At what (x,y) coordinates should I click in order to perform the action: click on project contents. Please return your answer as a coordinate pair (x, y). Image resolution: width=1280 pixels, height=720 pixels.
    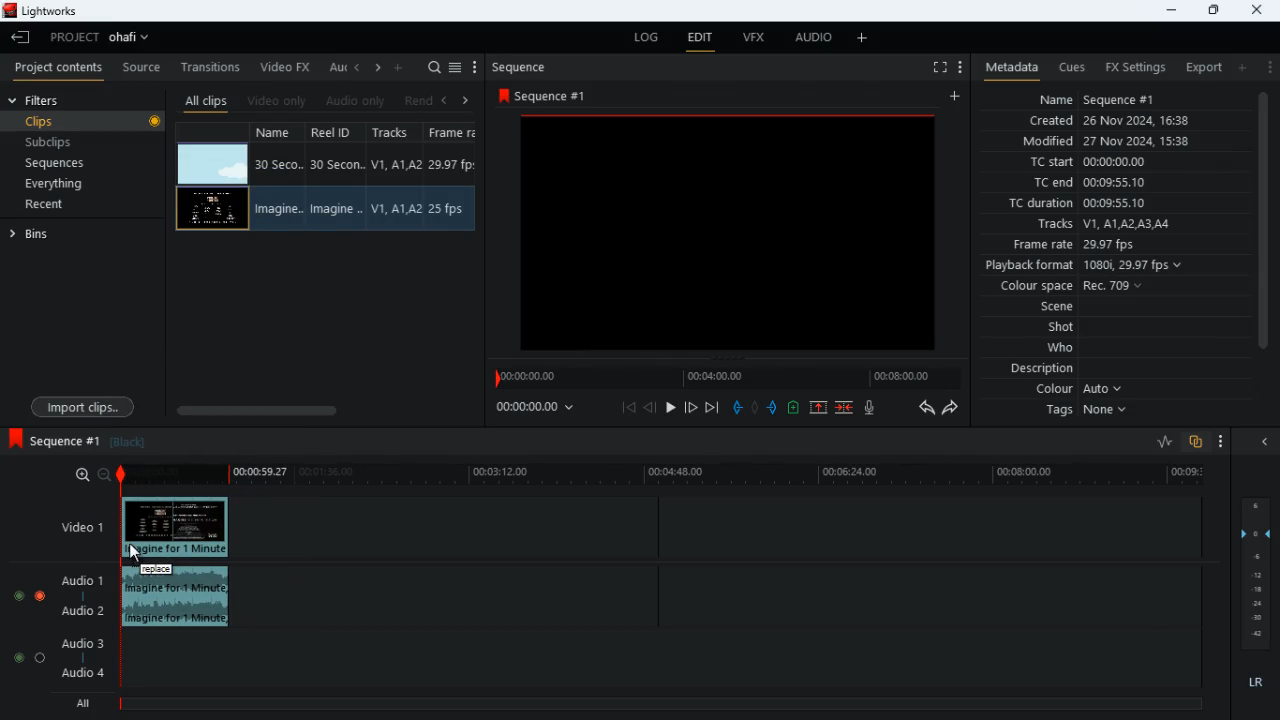
    Looking at the image, I should click on (58, 66).